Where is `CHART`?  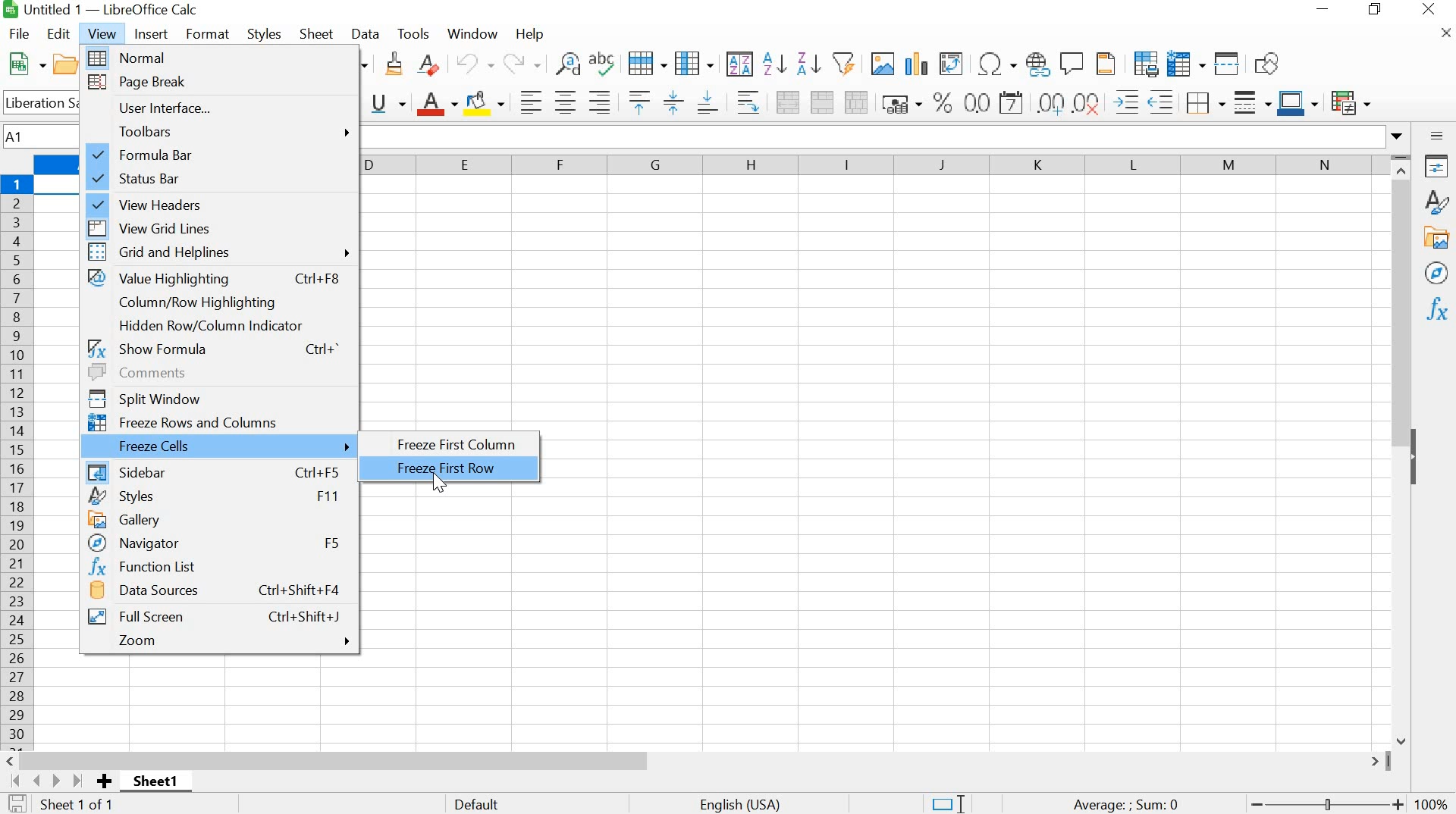 CHART is located at coordinates (915, 64).